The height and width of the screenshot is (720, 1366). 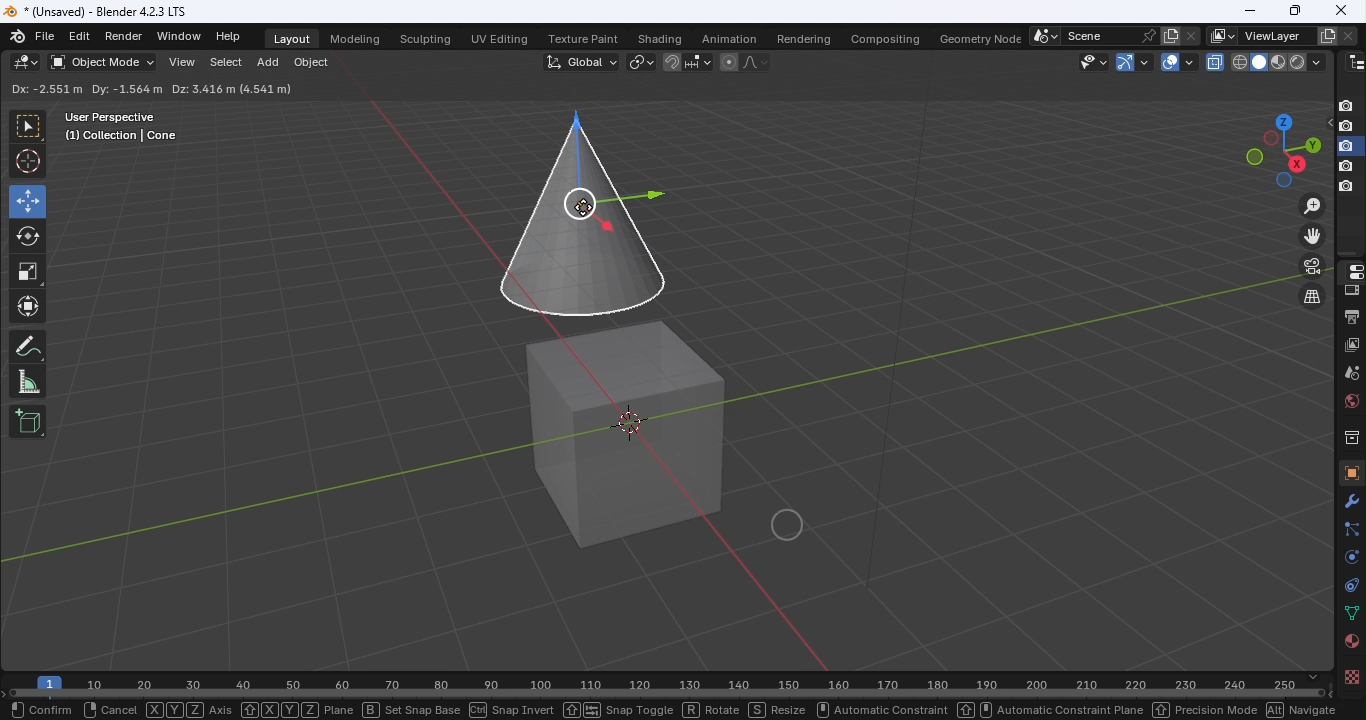 I want to click on texture, so click(x=1350, y=676).